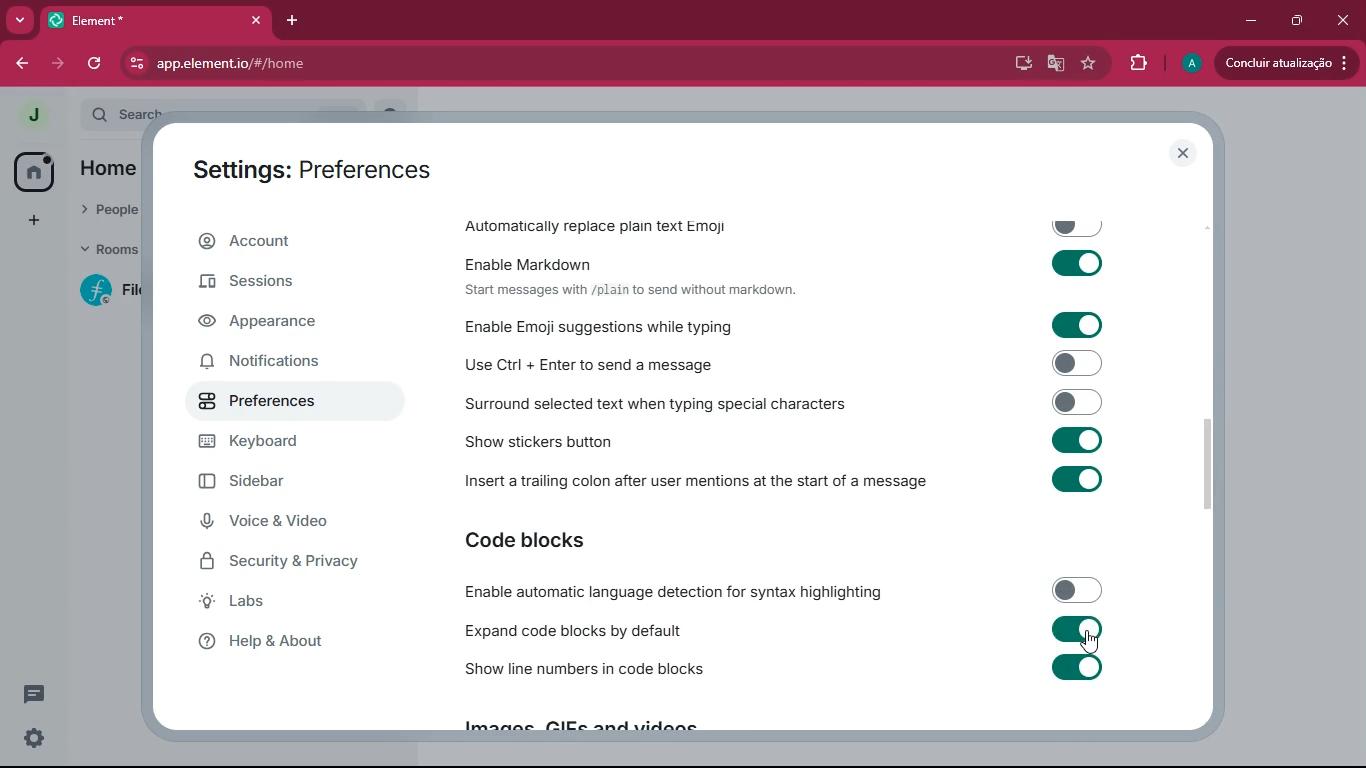 The width and height of the screenshot is (1366, 768). I want to click on settings: preferences, so click(313, 167).